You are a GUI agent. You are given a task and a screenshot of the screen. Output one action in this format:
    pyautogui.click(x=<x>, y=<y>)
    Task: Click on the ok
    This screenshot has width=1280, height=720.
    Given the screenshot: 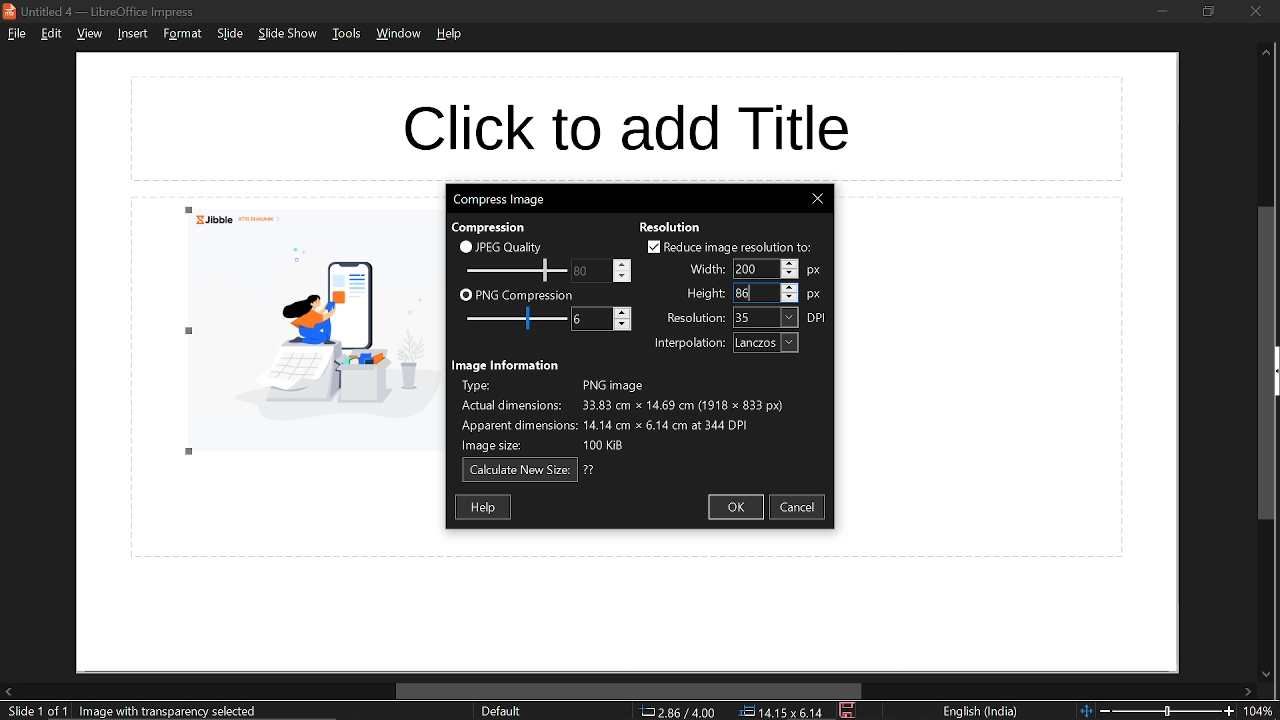 What is the action you would take?
    pyautogui.click(x=735, y=507)
    